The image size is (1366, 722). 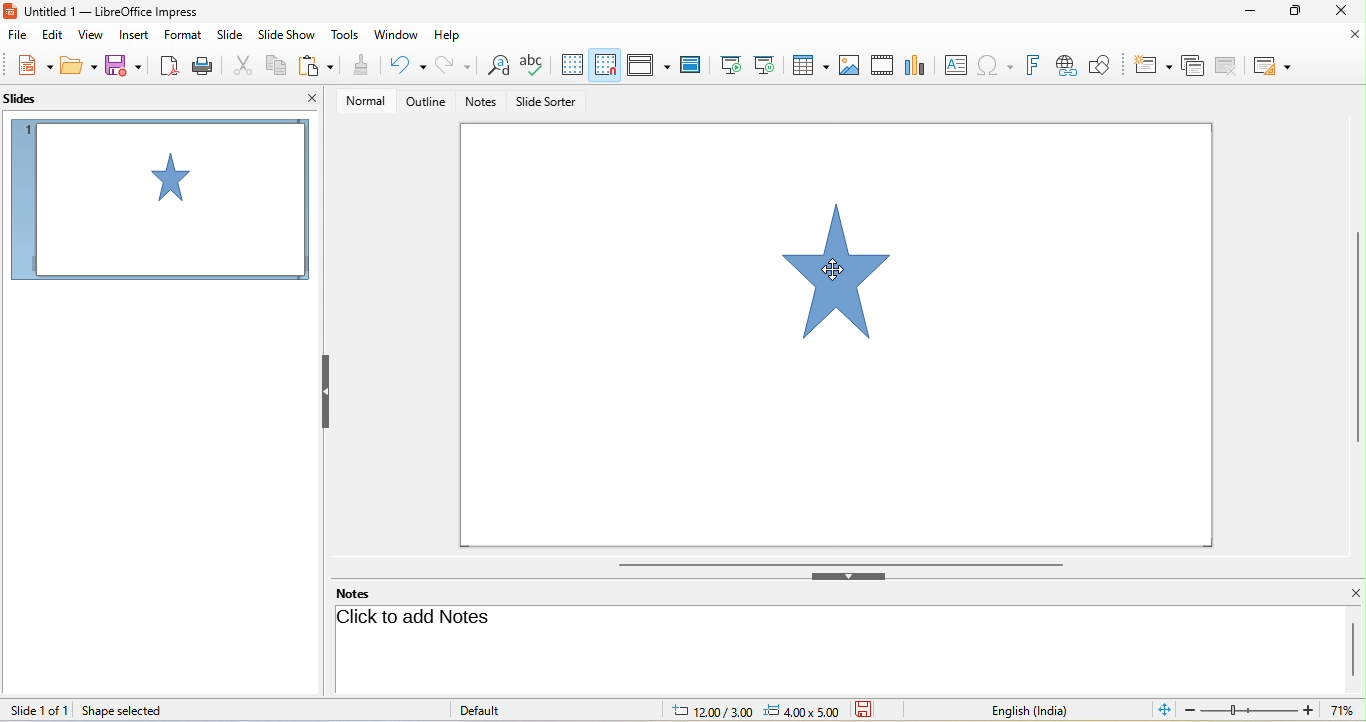 I want to click on horizontal scroll bar, so click(x=847, y=564).